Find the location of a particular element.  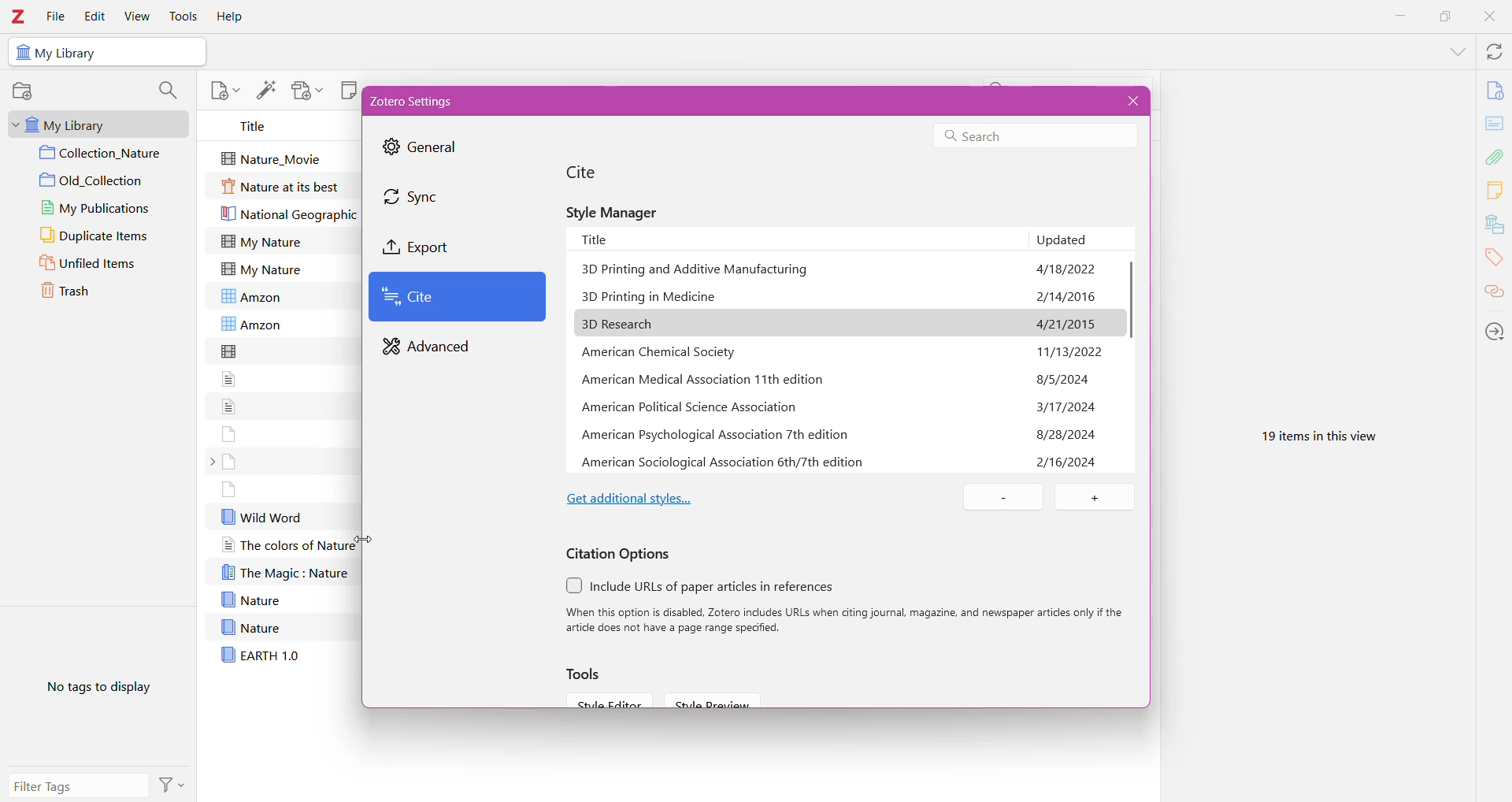

New Collection is located at coordinates (26, 91).